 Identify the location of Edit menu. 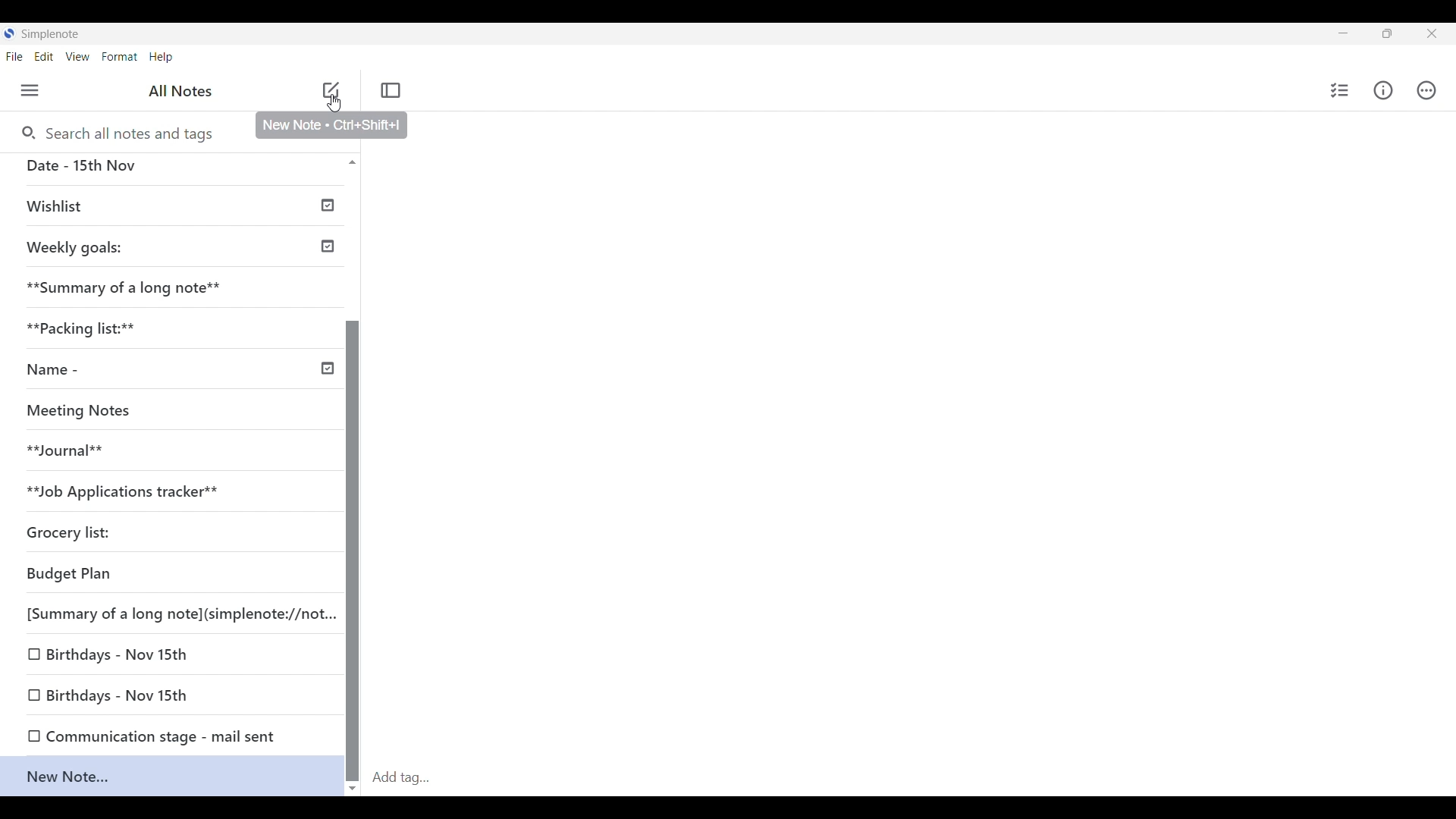
(44, 57).